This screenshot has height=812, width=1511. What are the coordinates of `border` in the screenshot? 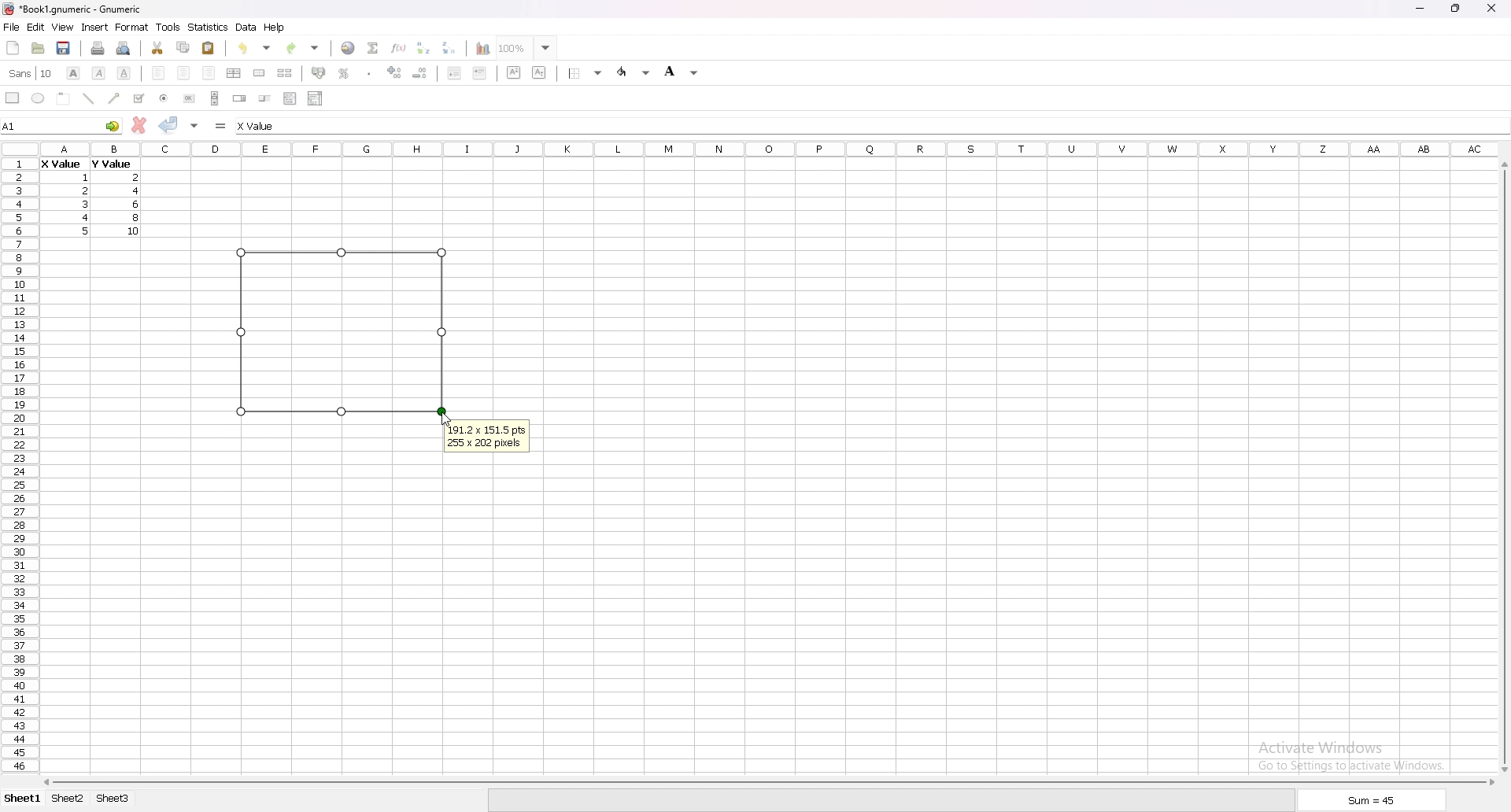 It's located at (587, 72).